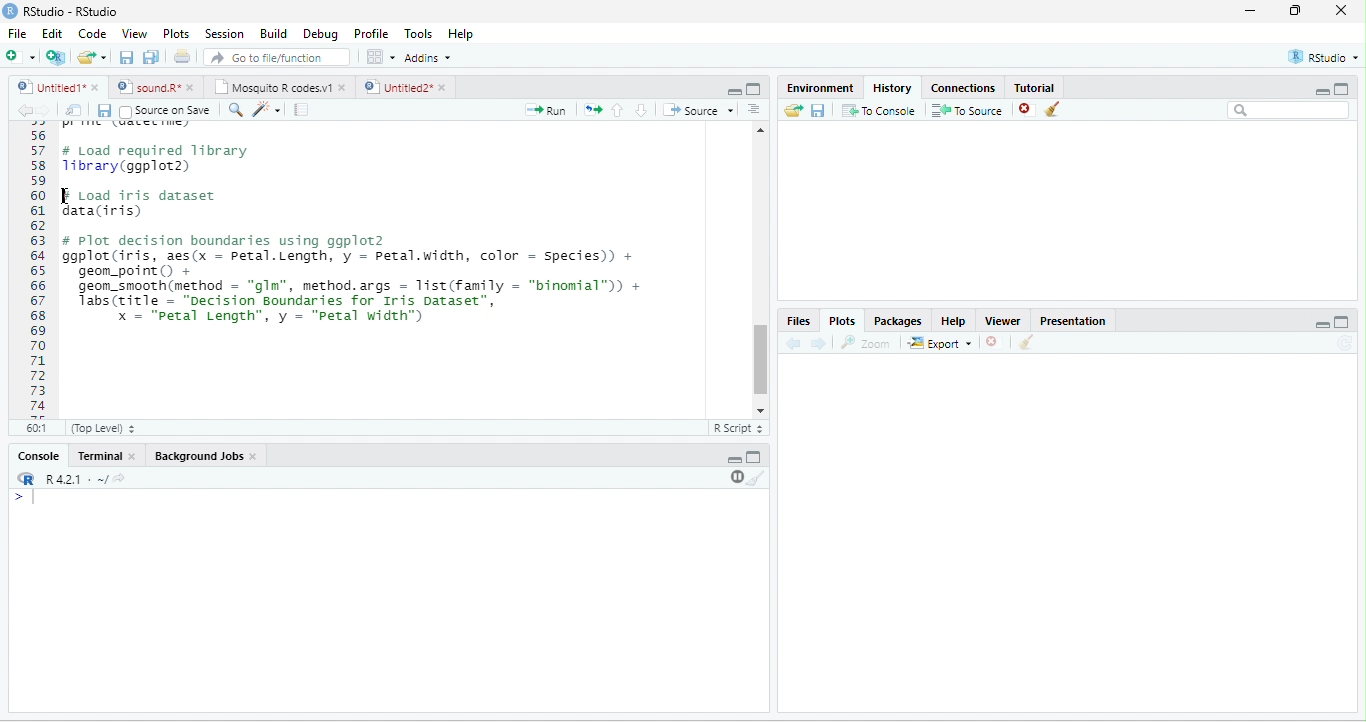  Describe the element at coordinates (38, 427) in the screenshot. I see `60:1` at that location.